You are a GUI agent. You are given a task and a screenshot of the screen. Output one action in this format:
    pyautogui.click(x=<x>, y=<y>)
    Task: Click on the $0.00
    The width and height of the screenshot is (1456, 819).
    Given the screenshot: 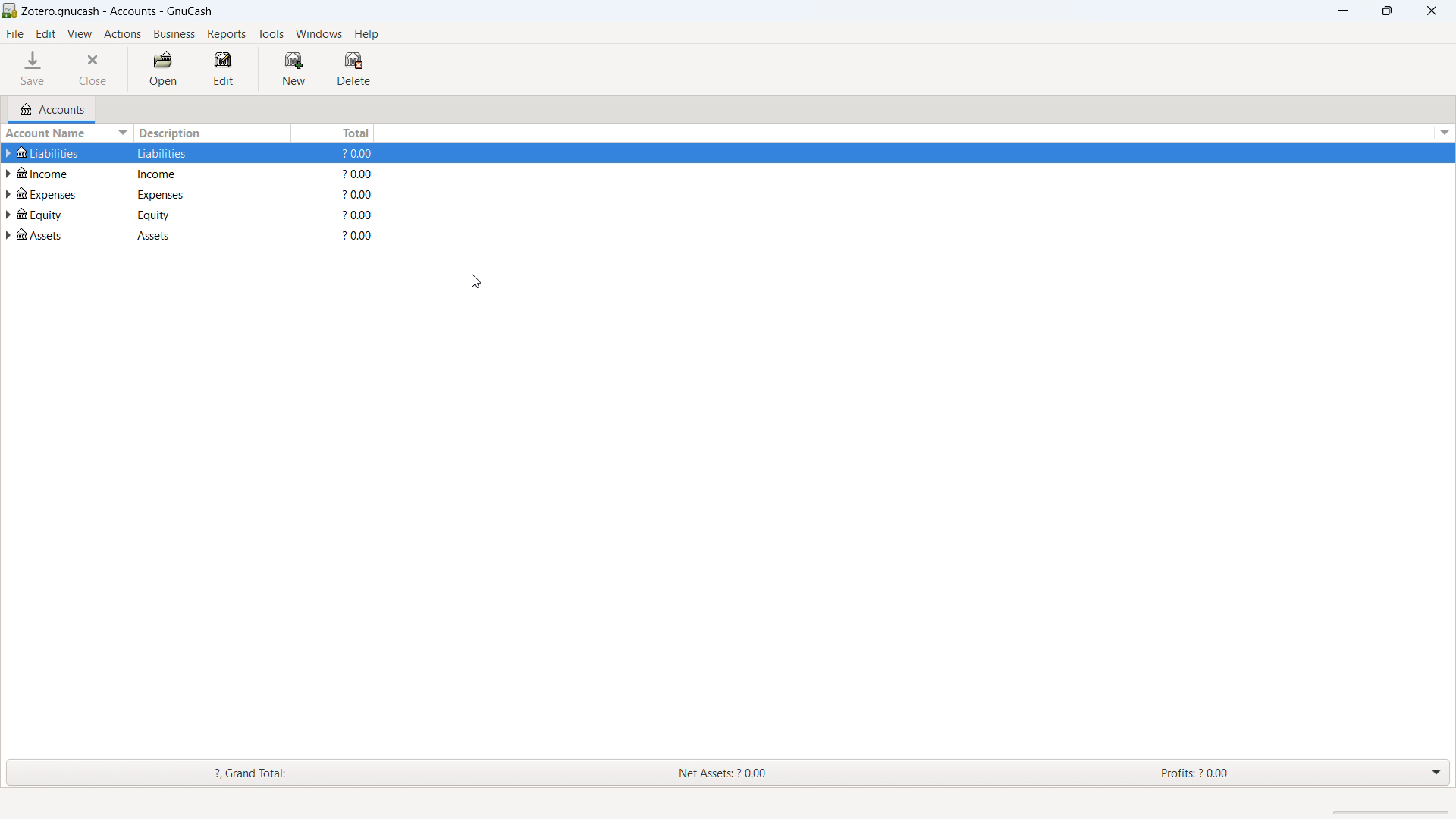 What is the action you would take?
    pyautogui.click(x=359, y=215)
    